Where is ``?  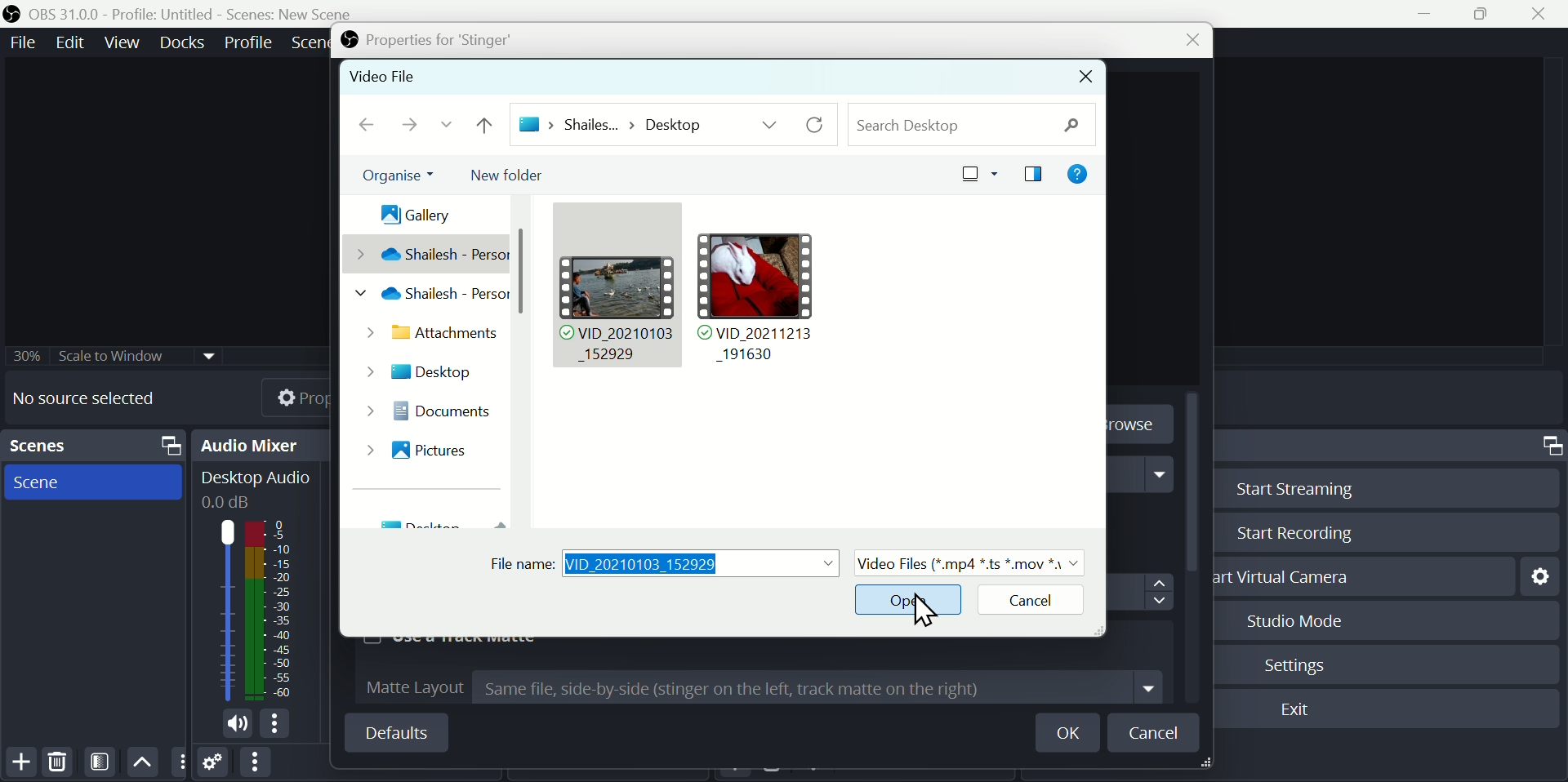
 is located at coordinates (185, 42).